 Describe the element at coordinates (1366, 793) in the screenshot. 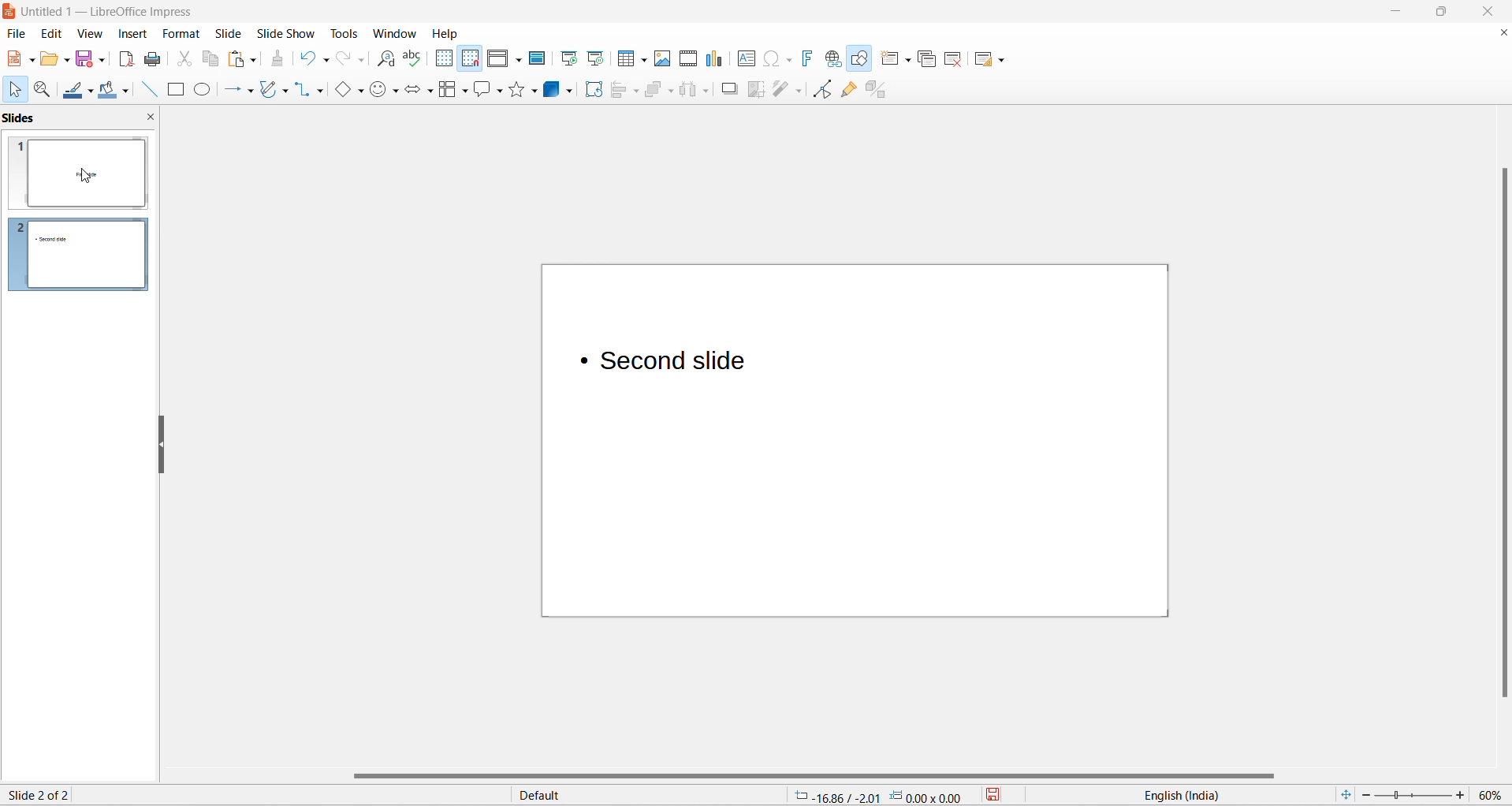

I see `decrease zoom` at that location.